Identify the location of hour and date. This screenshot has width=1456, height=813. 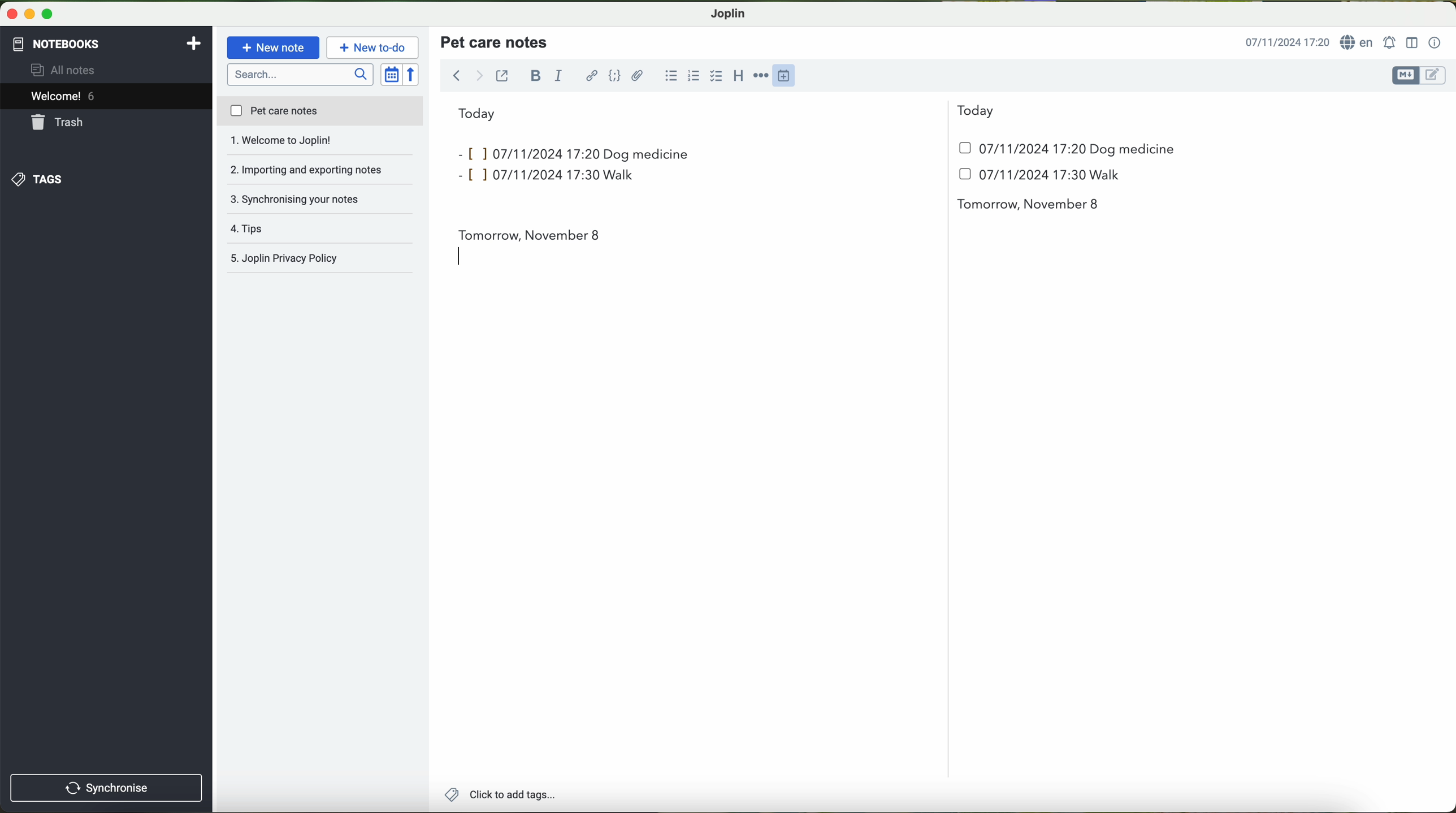
(1286, 43).